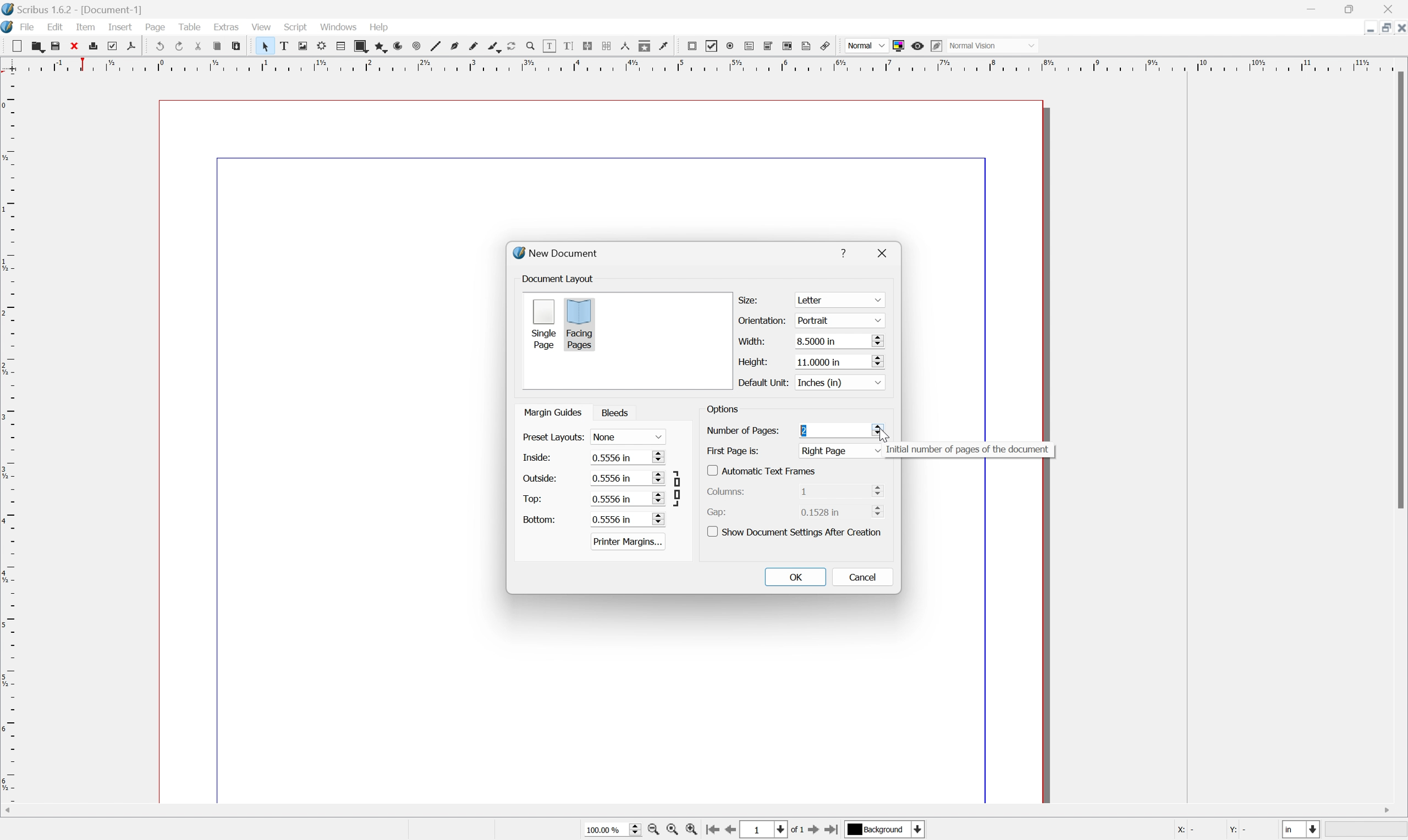 This screenshot has height=840, width=1408. I want to click on Minimize, so click(1360, 27).